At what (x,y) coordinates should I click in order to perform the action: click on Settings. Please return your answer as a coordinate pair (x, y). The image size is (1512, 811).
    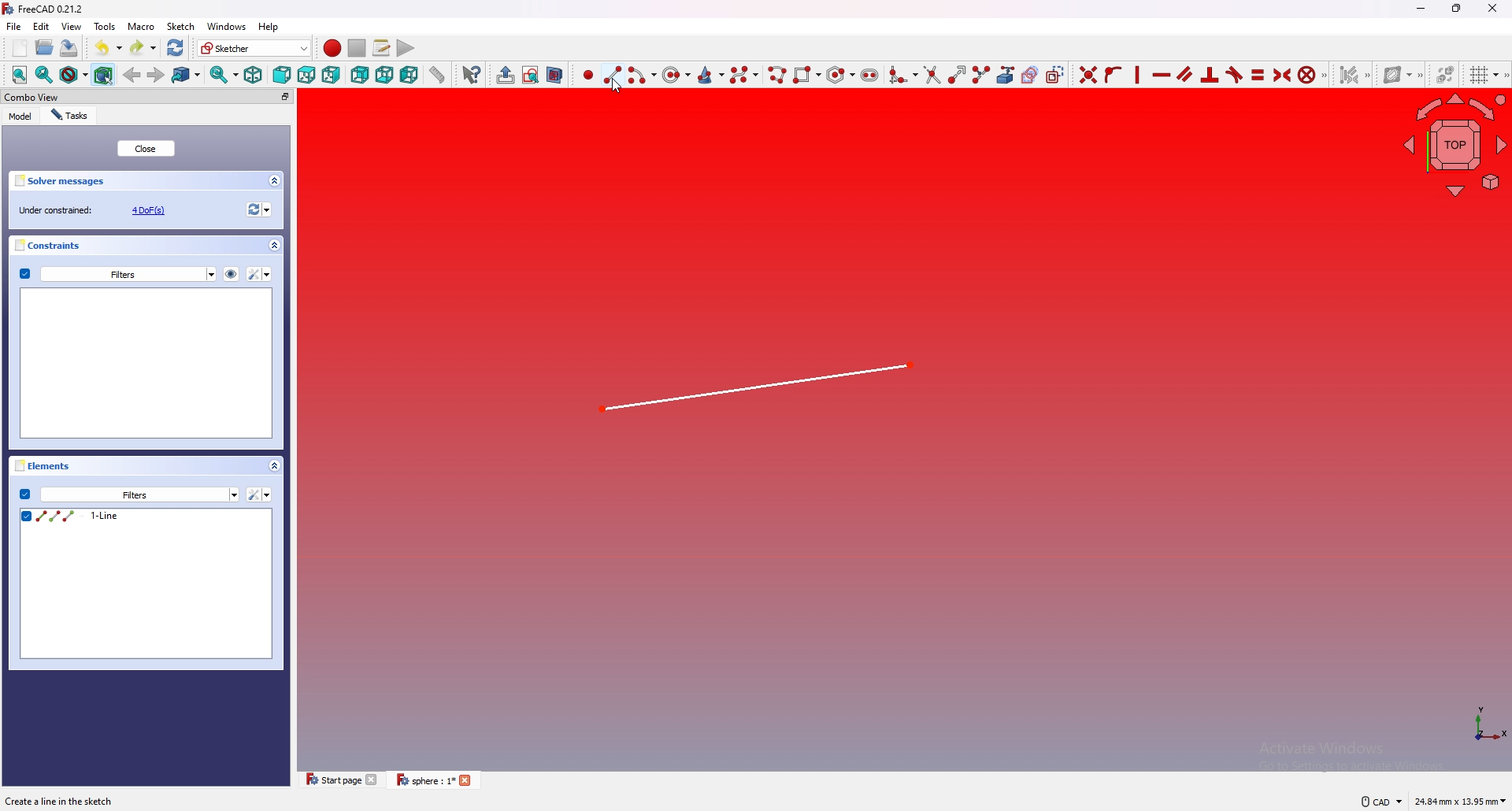
    Looking at the image, I should click on (260, 274).